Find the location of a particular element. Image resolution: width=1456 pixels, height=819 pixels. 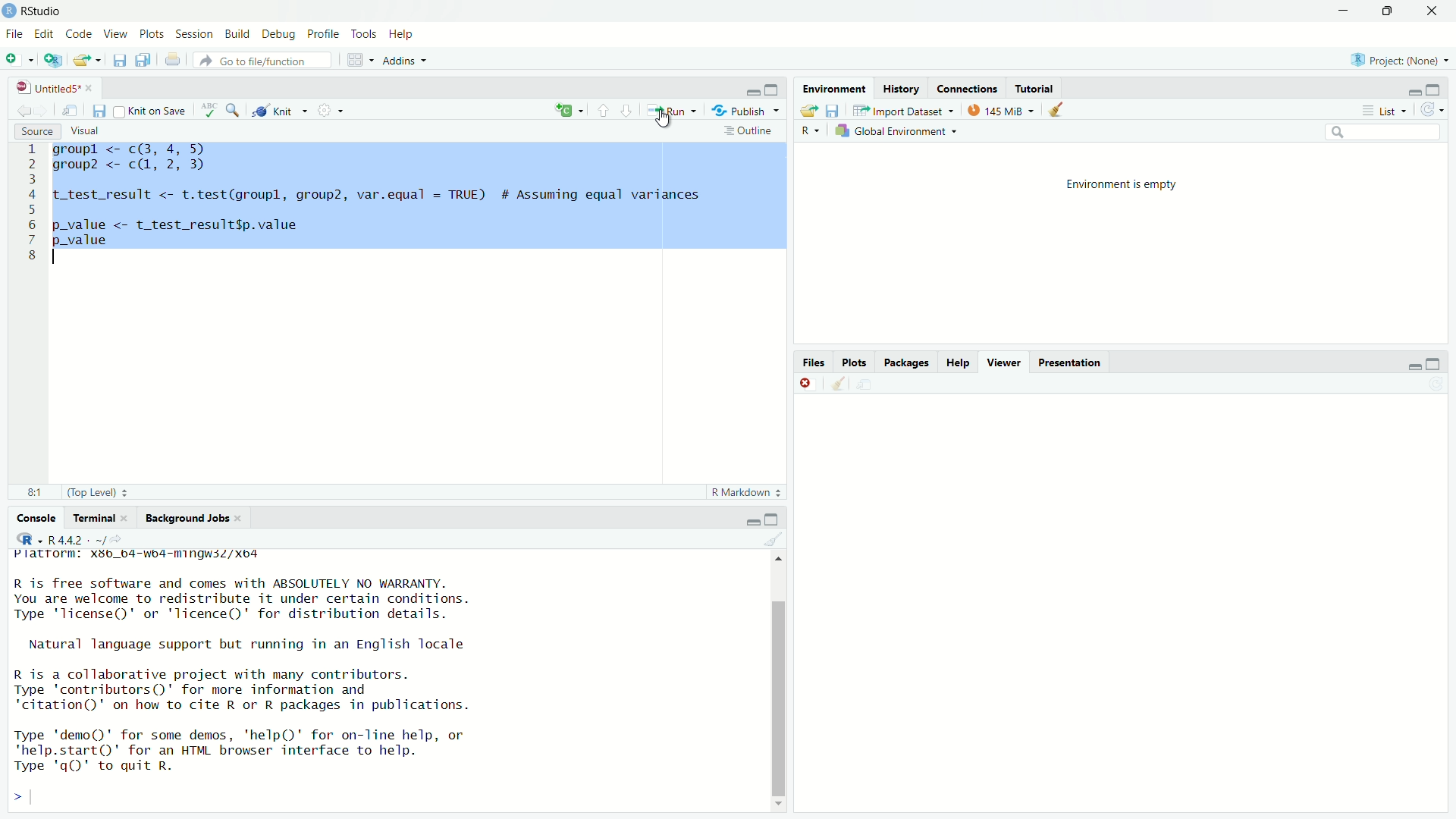

Environment is empty is located at coordinates (1121, 243).